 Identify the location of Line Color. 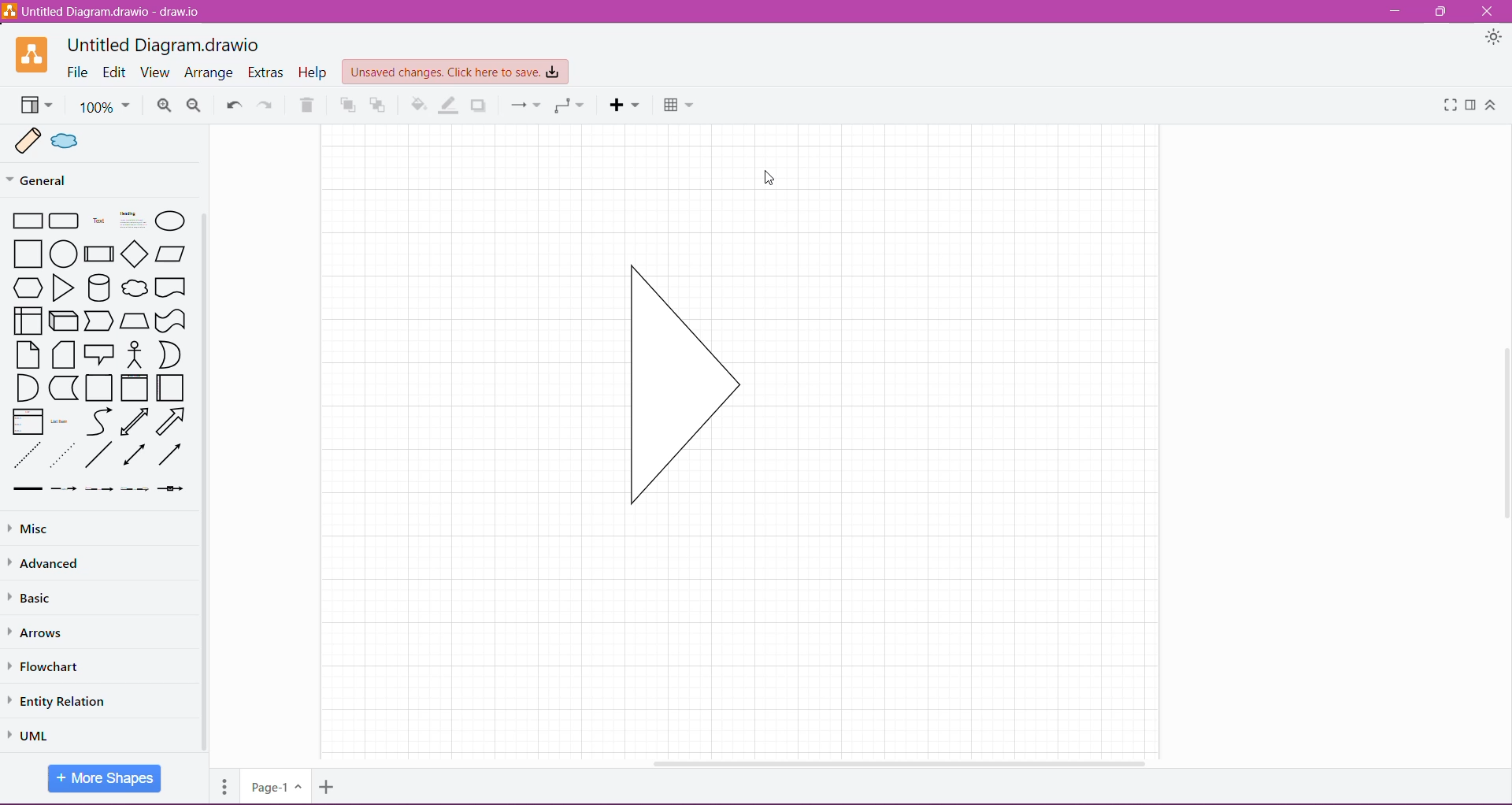
(447, 105).